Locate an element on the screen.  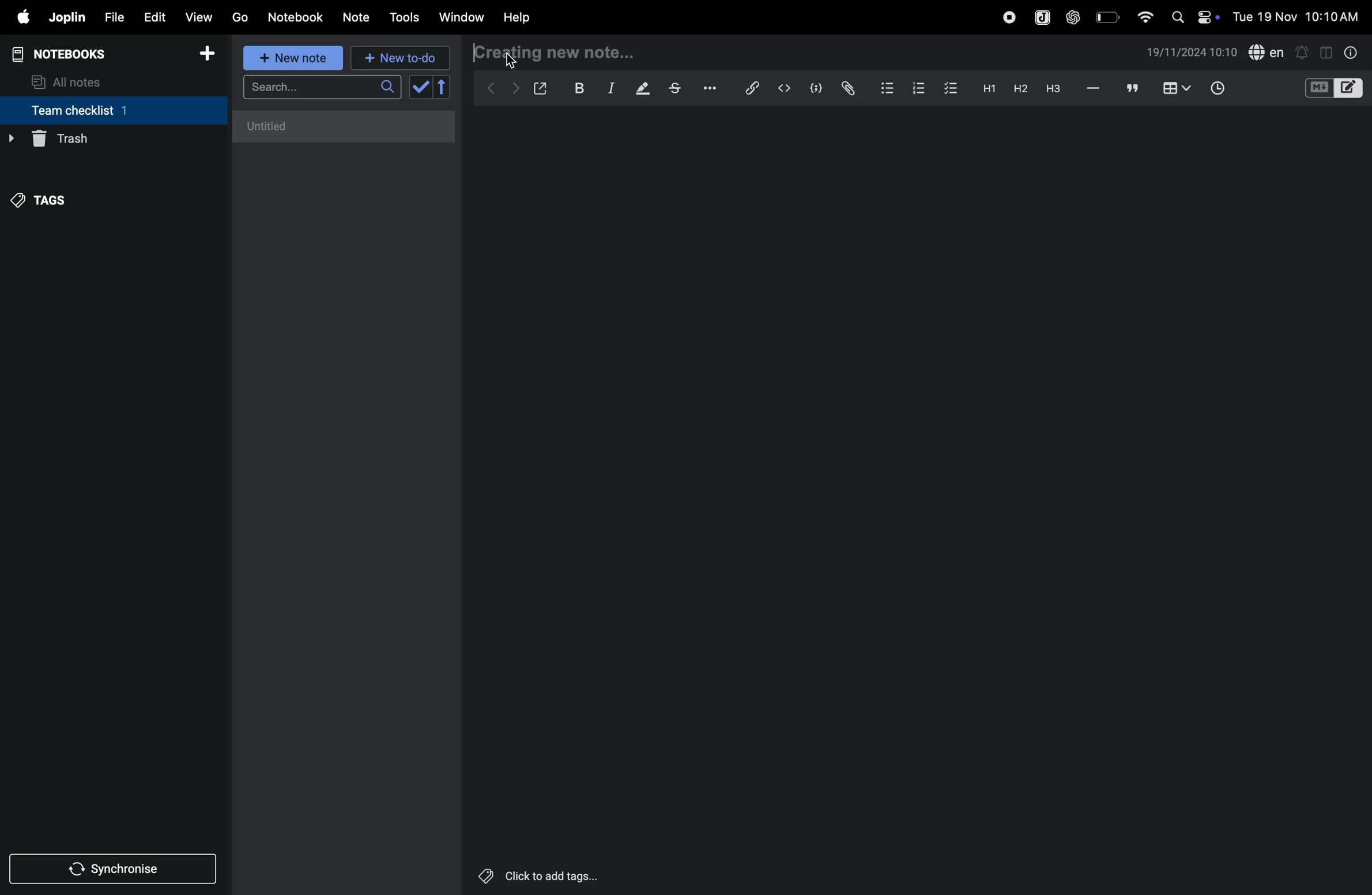
cursor is located at coordinates (514, 59).